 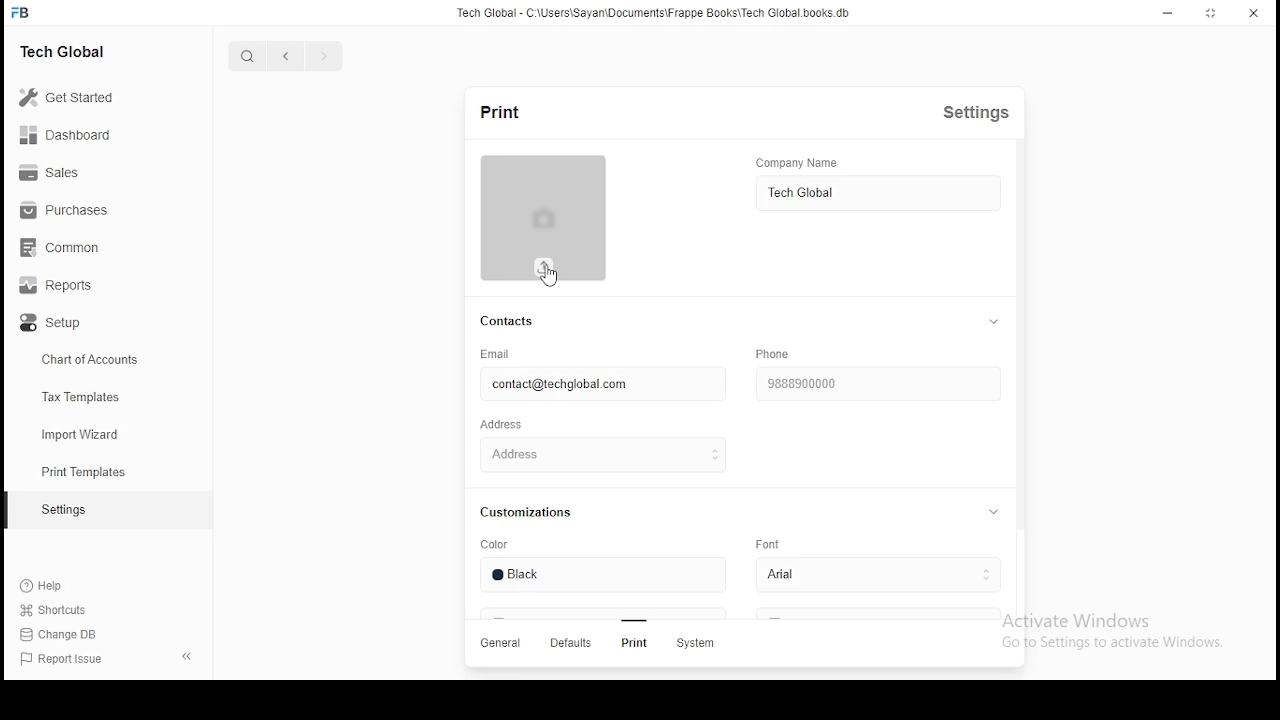 What do you see at coordinates (87, 472) in the screenshot?
I see `print templates ` at bounding box center [87, 472].